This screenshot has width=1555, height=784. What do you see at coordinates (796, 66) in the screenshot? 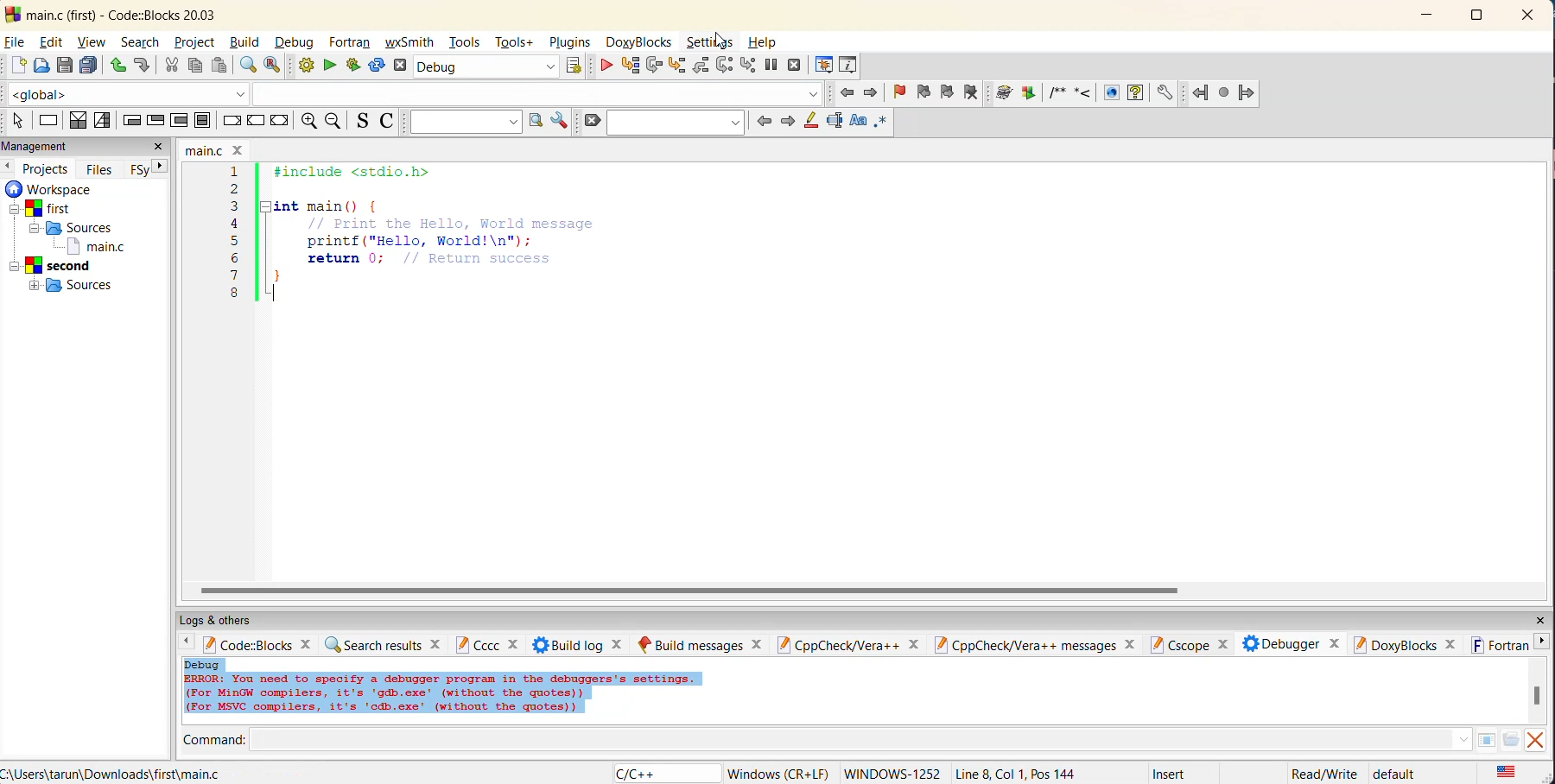
I see `stop debugger` at bounding box center [796, 66].